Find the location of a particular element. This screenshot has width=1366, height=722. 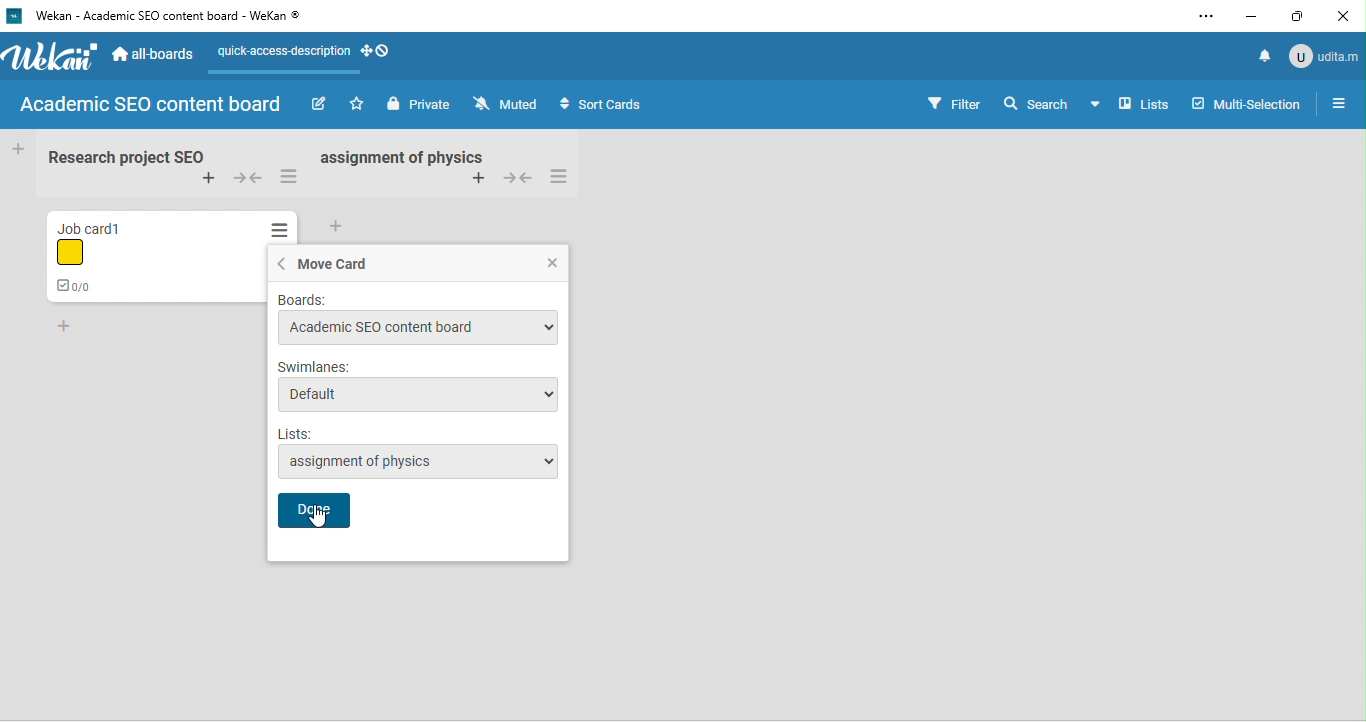

cursor movement is located at coordinates (317, 518).